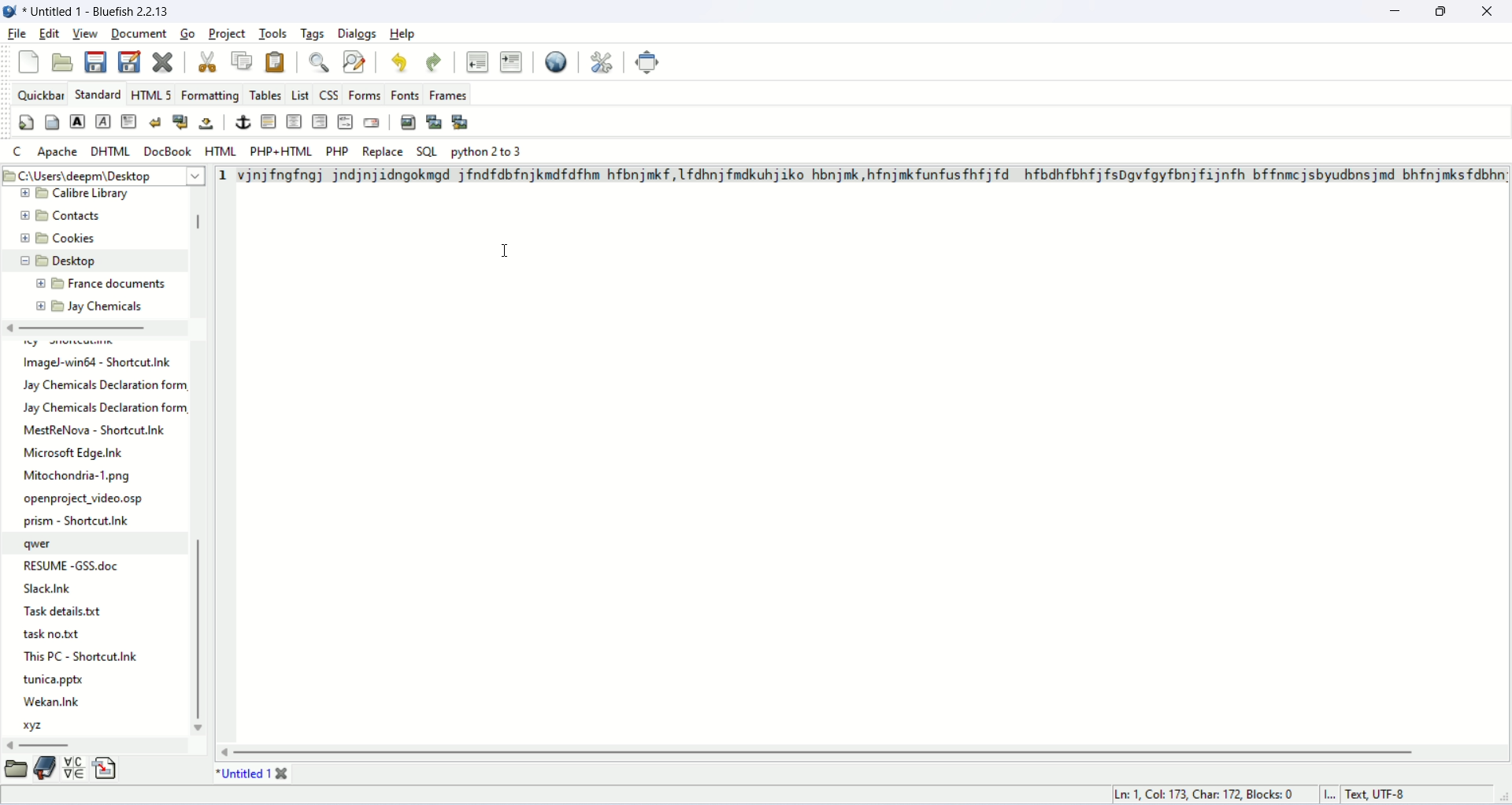  Describe the element at coordinates (428, 150) in the screenshot. I see `SQL` at that location.